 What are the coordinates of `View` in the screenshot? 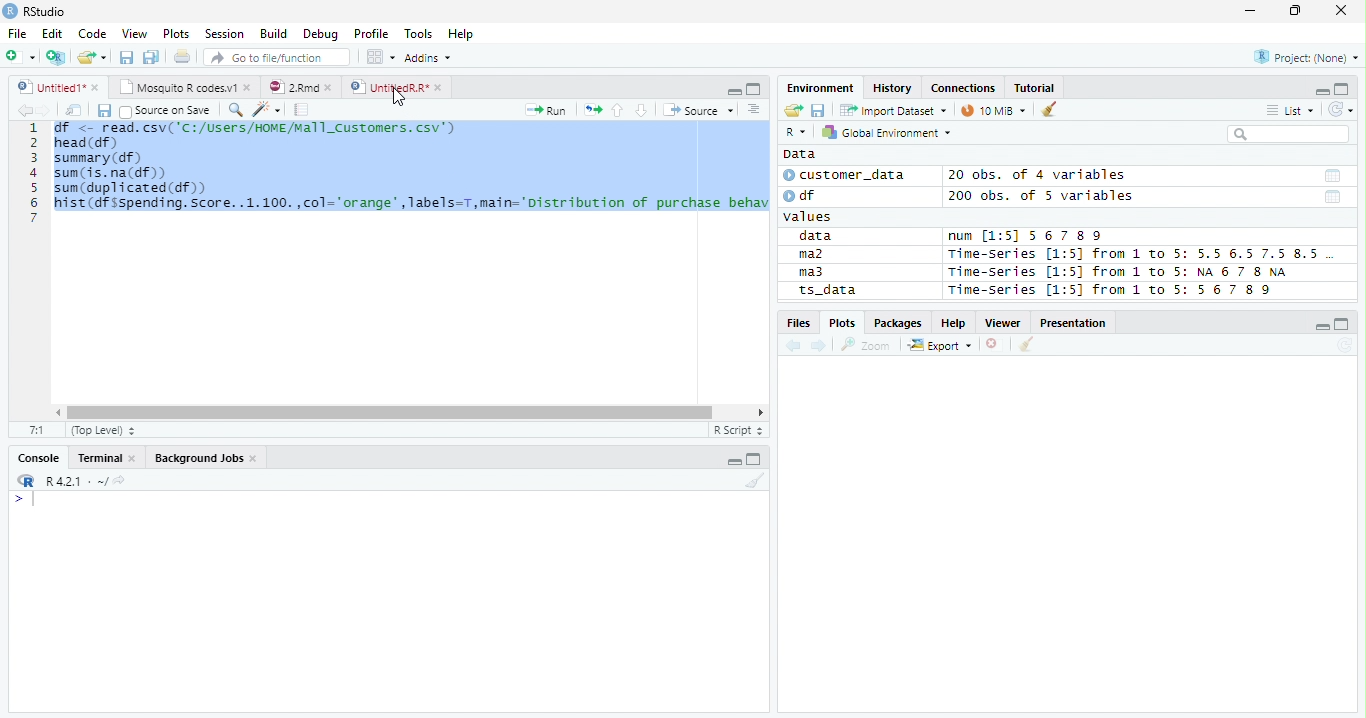 It's located at (136, 33).